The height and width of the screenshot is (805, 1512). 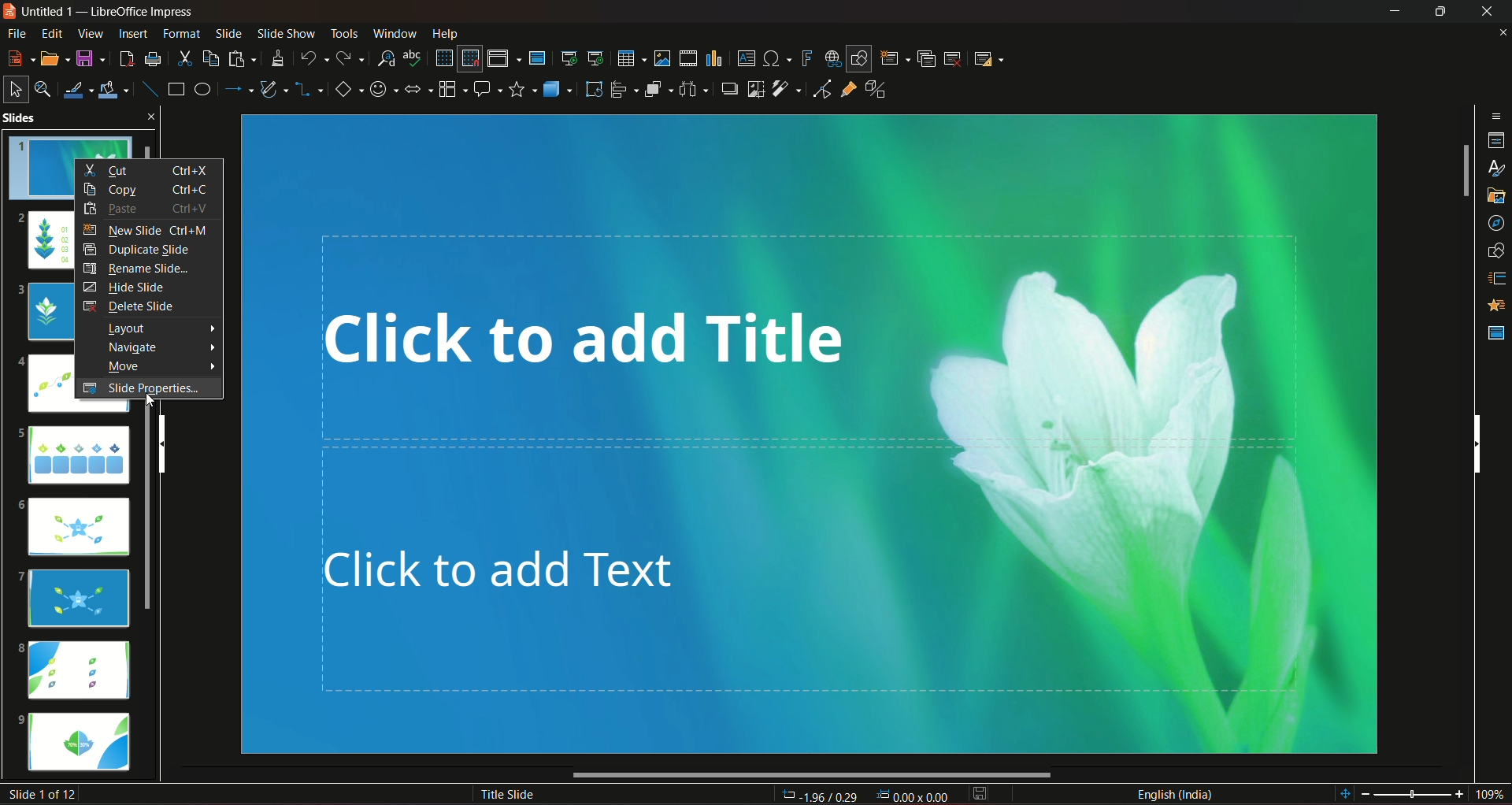 I want to click on symbol shapes, so click(x=384, y=89).